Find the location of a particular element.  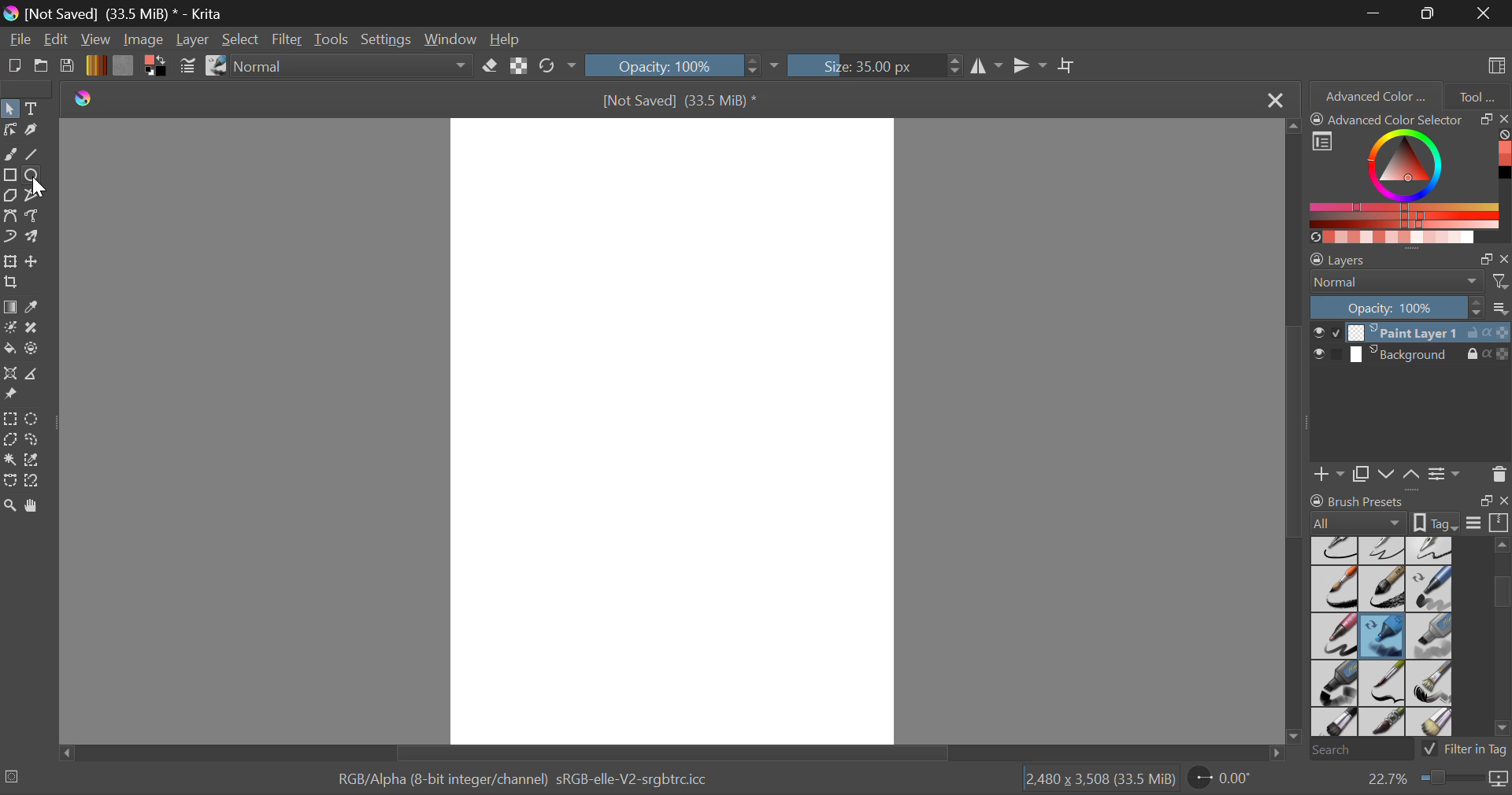

Marker Plain is located at coordinates (1334, 684).